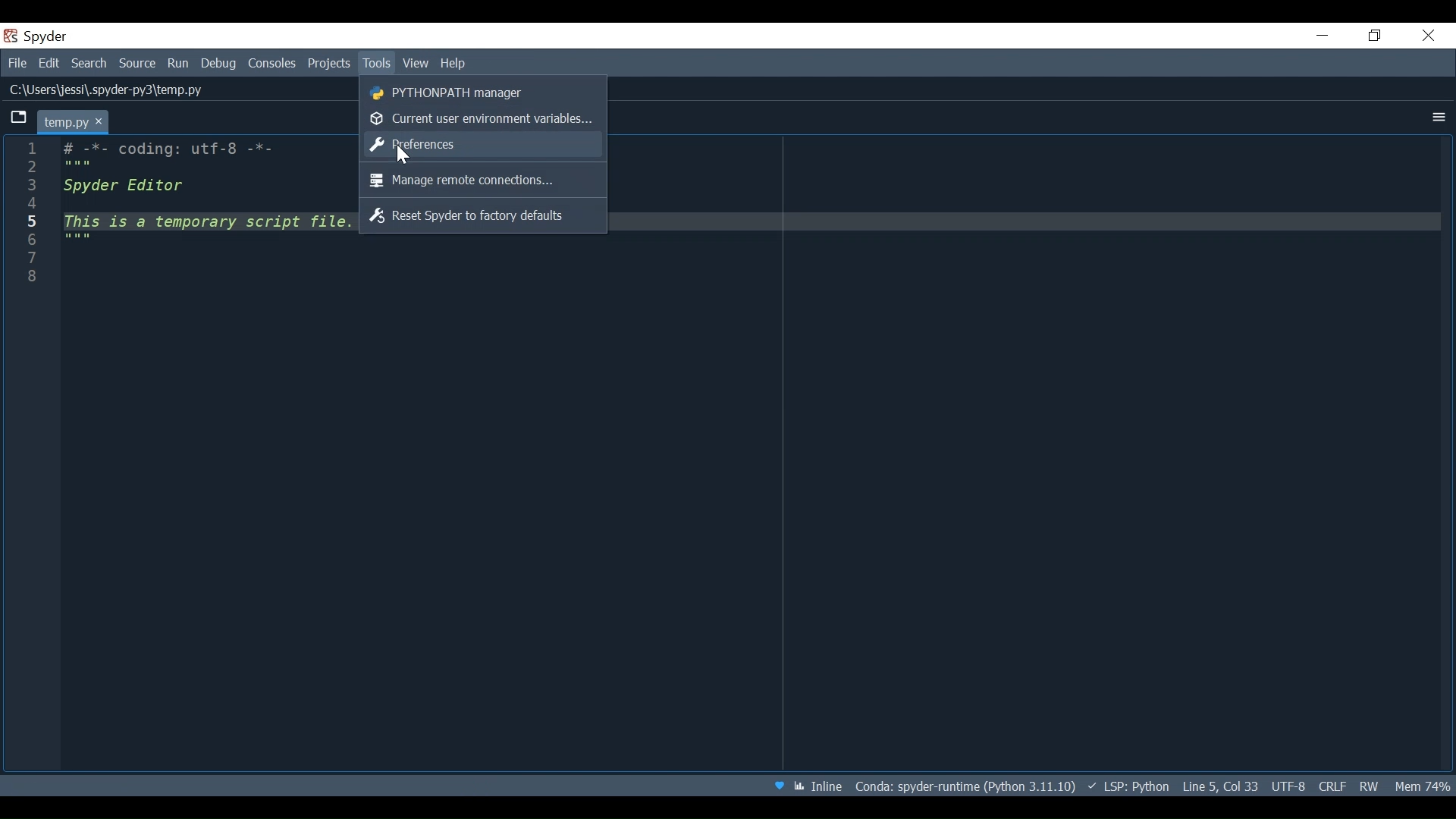  Describe the element at coordinates (1426, 35) in the screenshot. I see `Close` at that location.